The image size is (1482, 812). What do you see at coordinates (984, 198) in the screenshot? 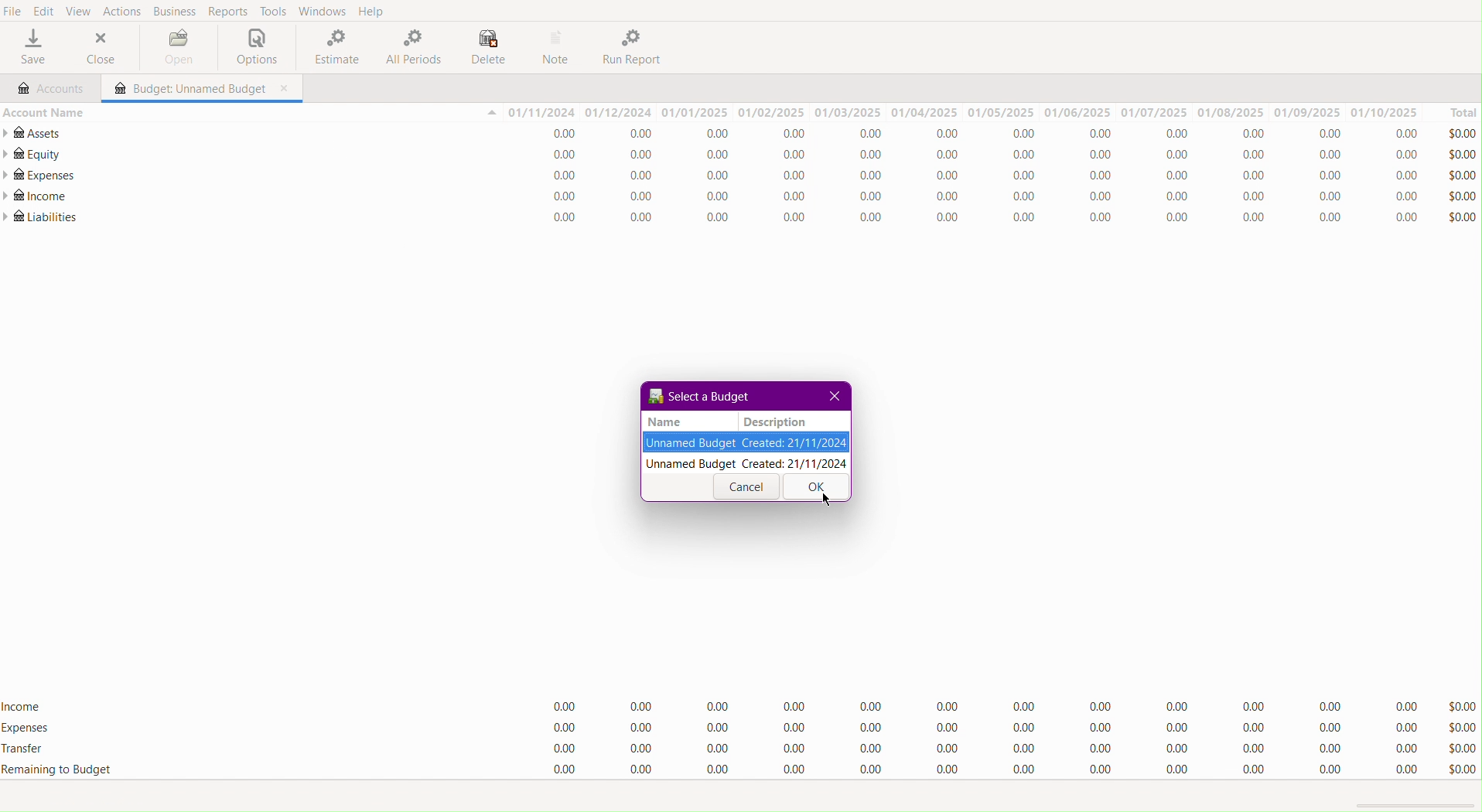
I see `Income` at bounding box center [984, 198].